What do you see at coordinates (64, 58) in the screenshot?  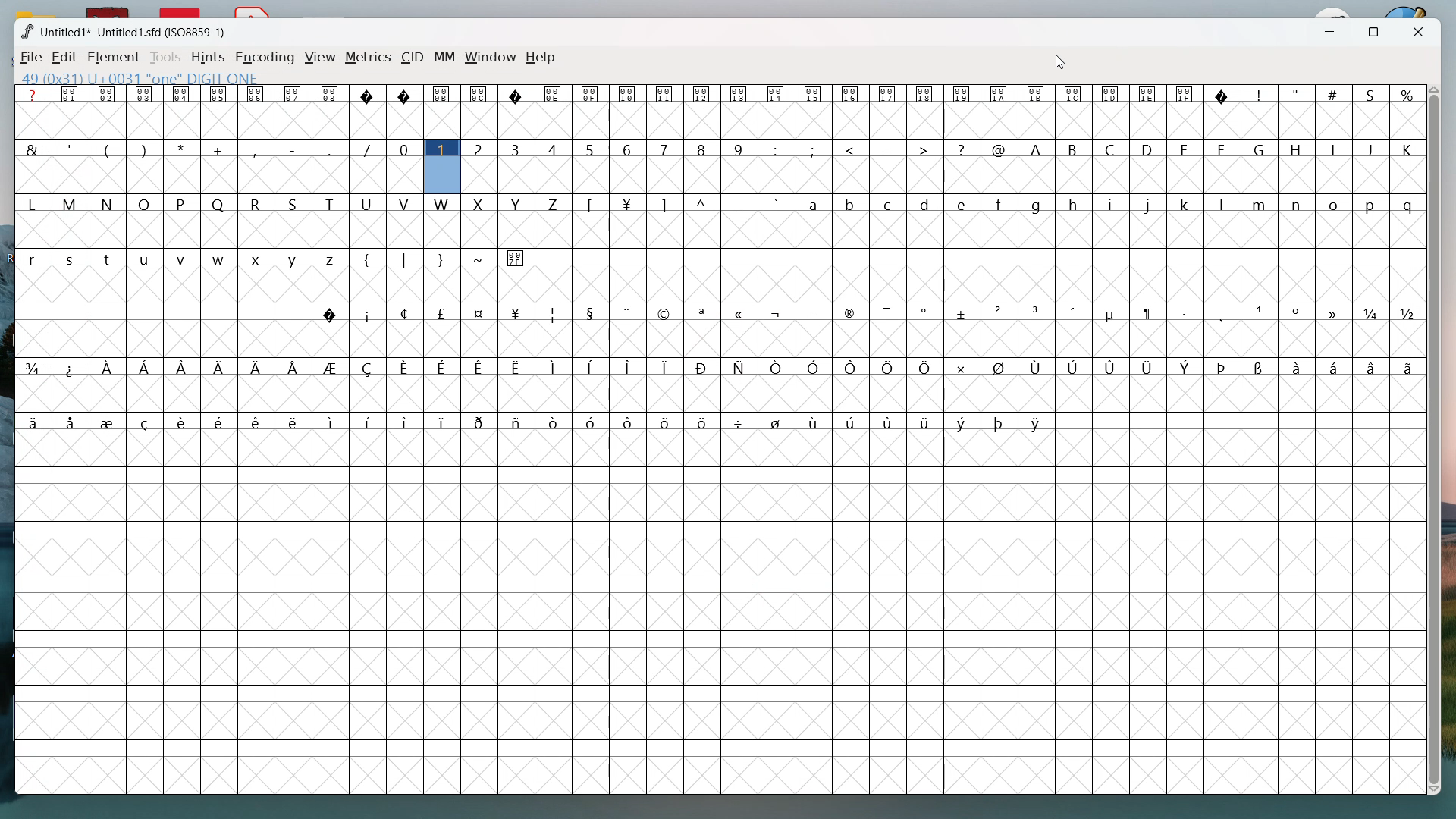 I see `edit` at bounding box center [64, 58].